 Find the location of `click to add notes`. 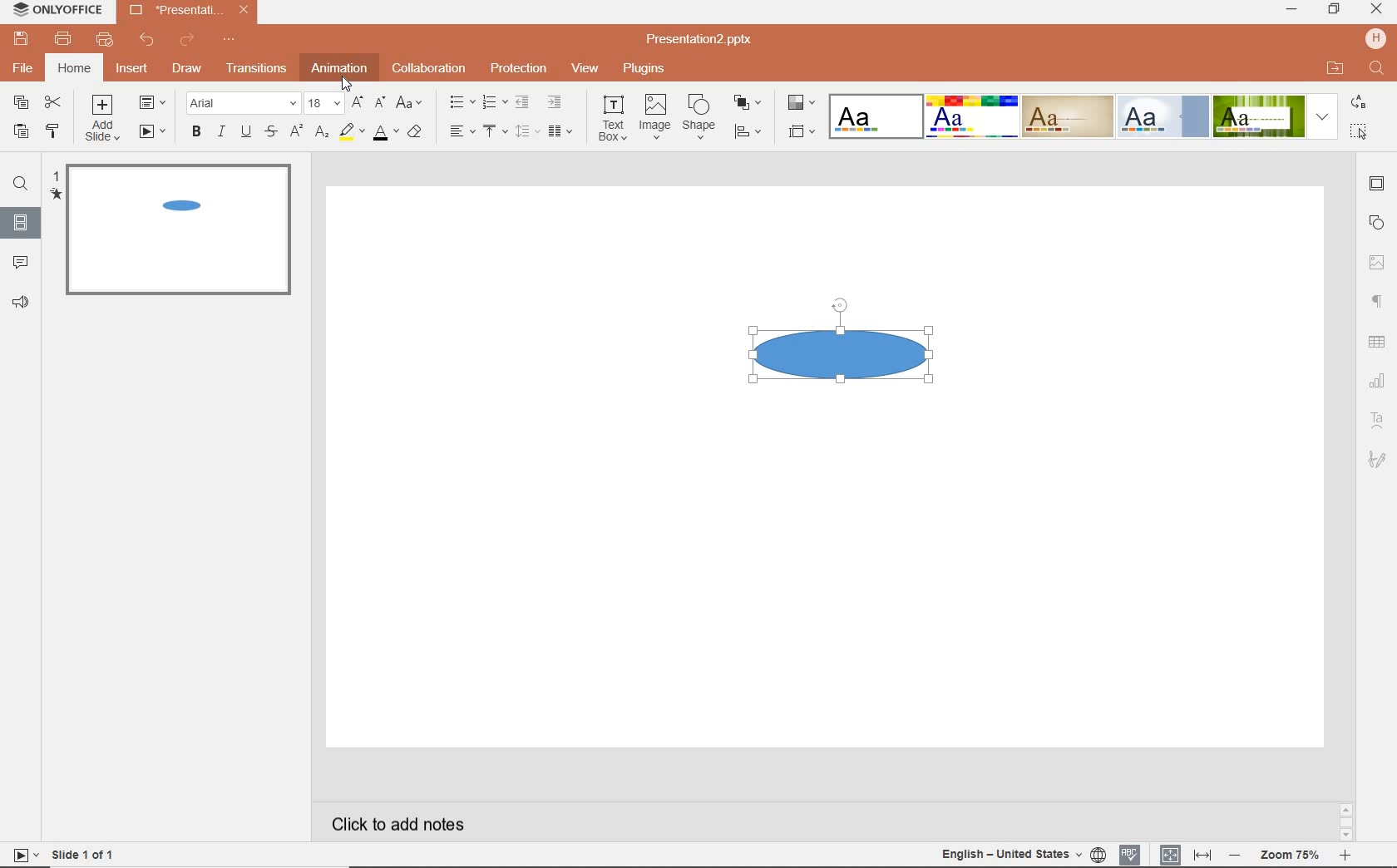

click to add notes is located at coordinates (401, 824).